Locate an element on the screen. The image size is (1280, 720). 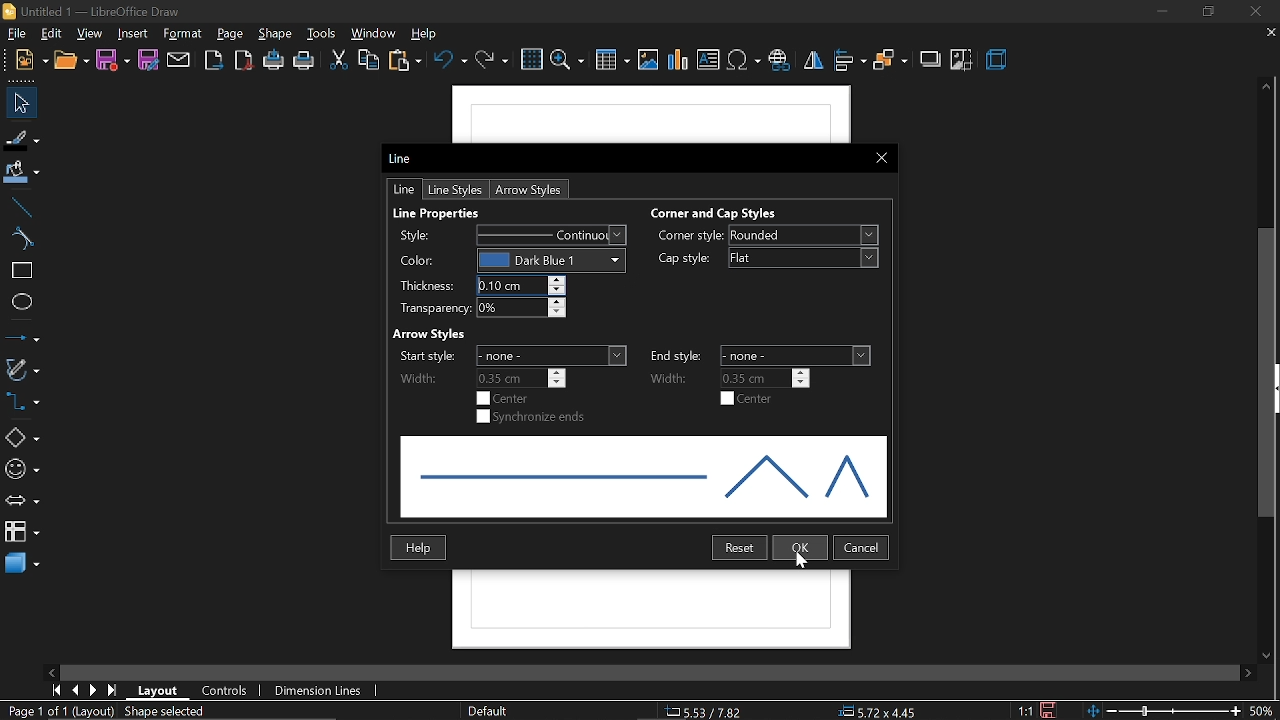
help is located at coordinates (429, 34).